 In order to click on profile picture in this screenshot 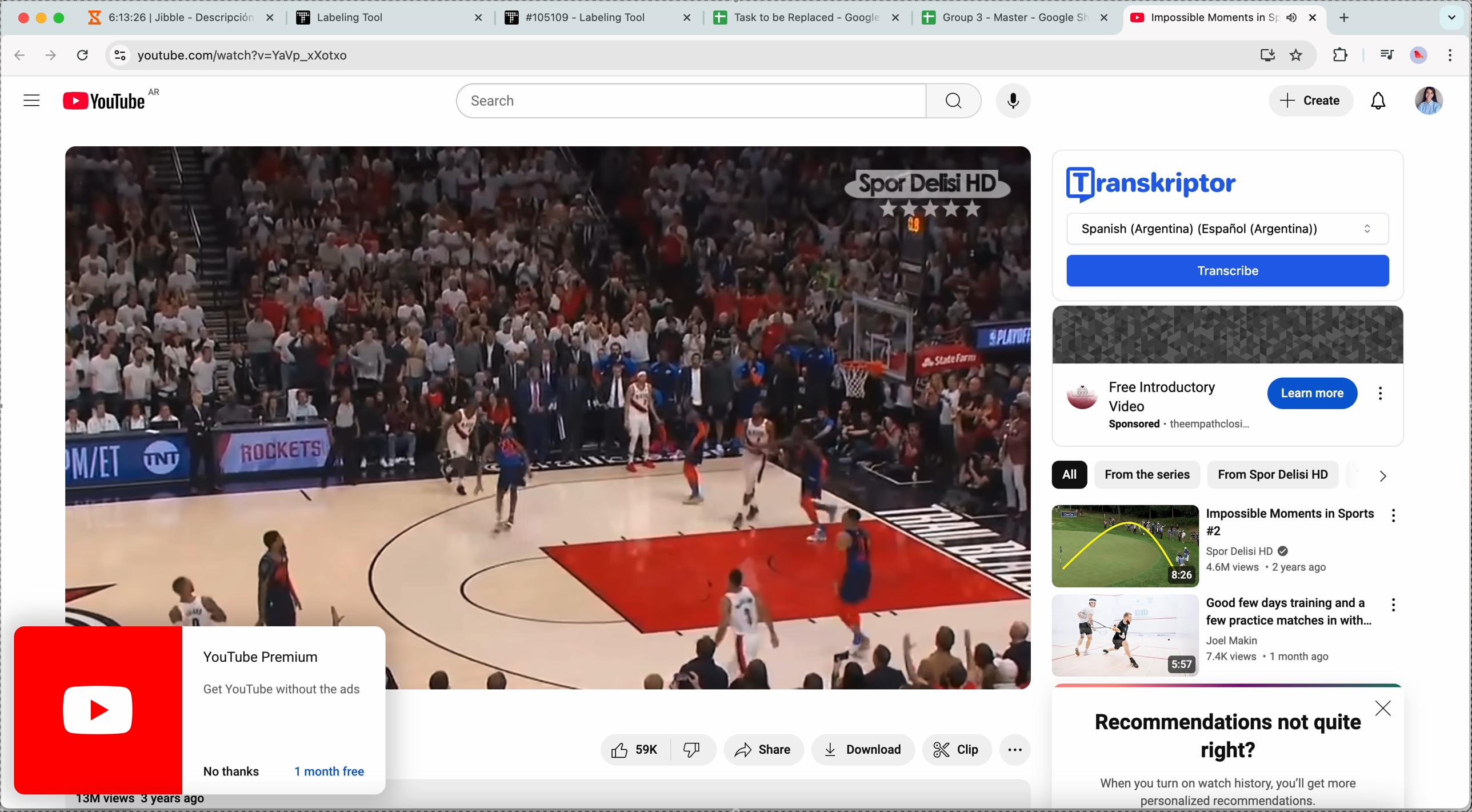, I will do `click(1431, 103)`.